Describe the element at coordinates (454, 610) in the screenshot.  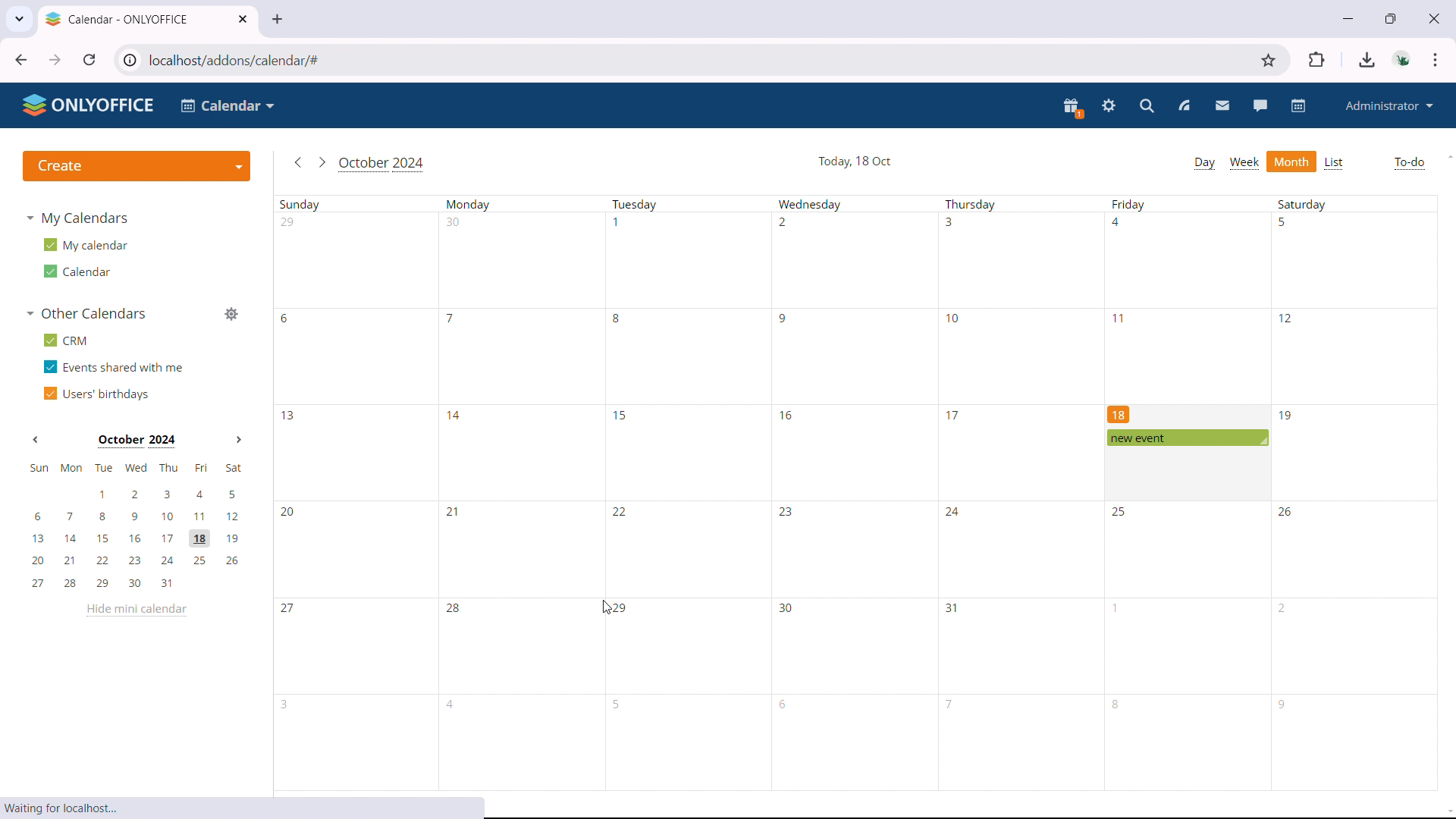
I see `28` at that location.